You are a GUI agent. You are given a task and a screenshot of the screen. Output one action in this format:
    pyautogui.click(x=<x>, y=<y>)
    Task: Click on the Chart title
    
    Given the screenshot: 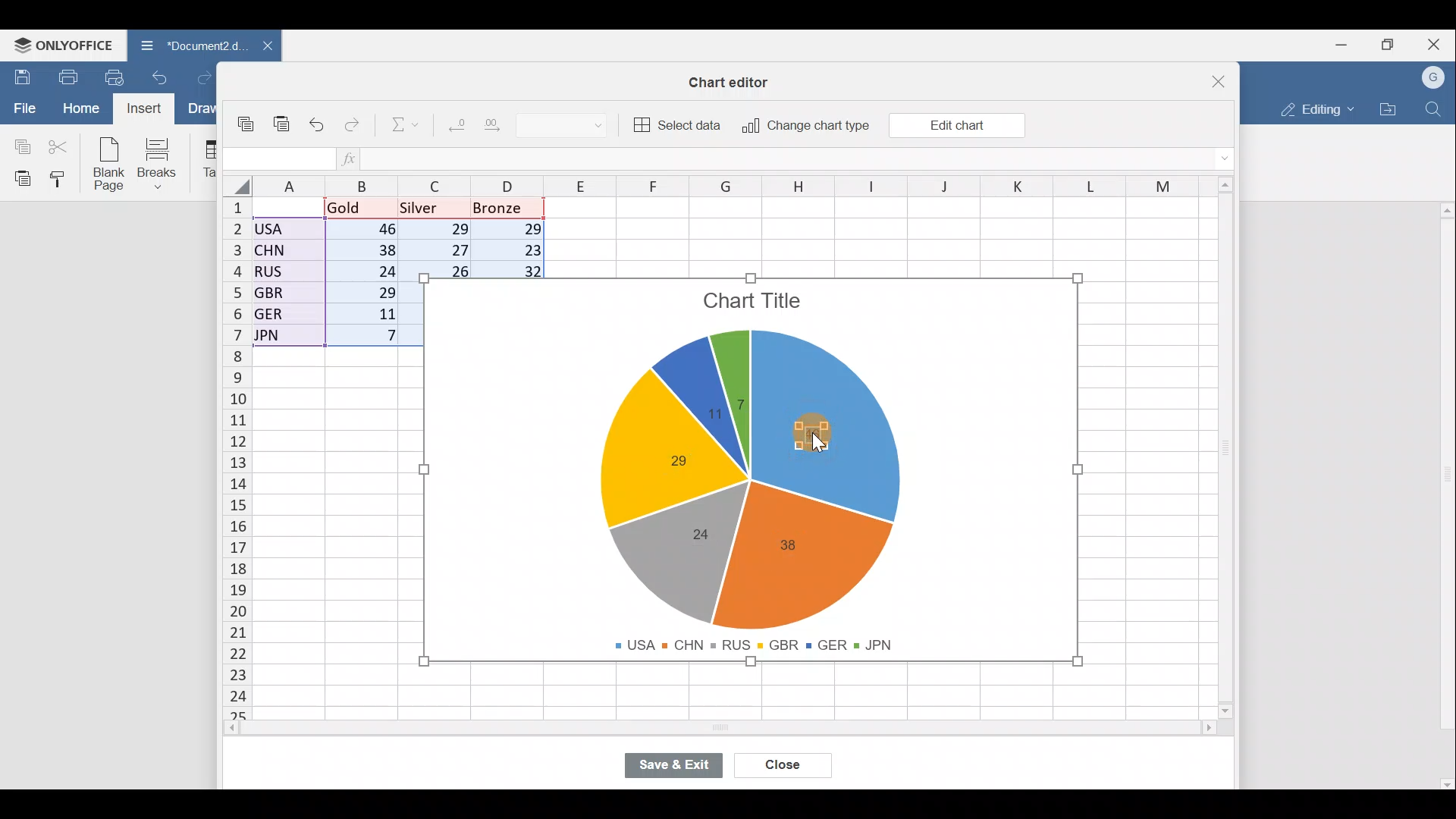 What is the action you would take?
    pyautogui.click(x=755, y=304)
    